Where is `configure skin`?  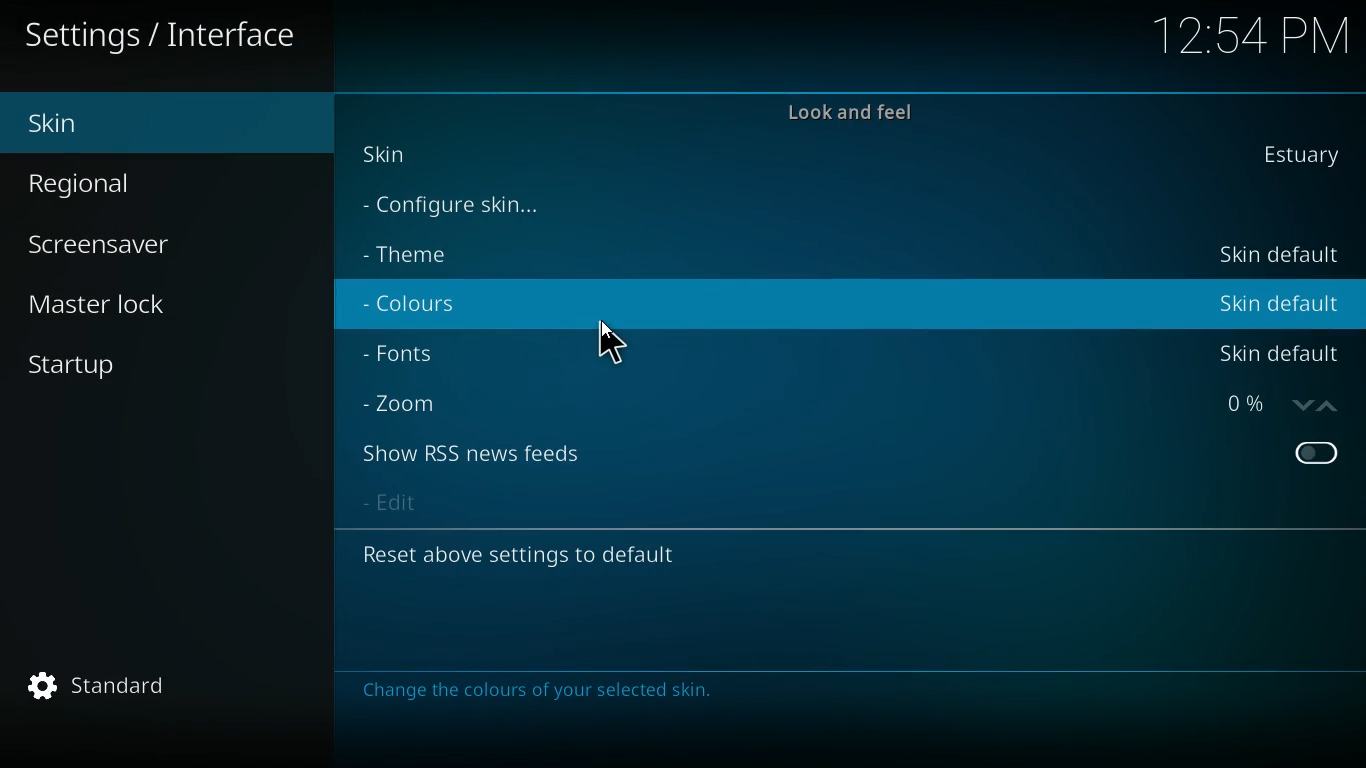
configure skin is located at coordinates (468, 207).